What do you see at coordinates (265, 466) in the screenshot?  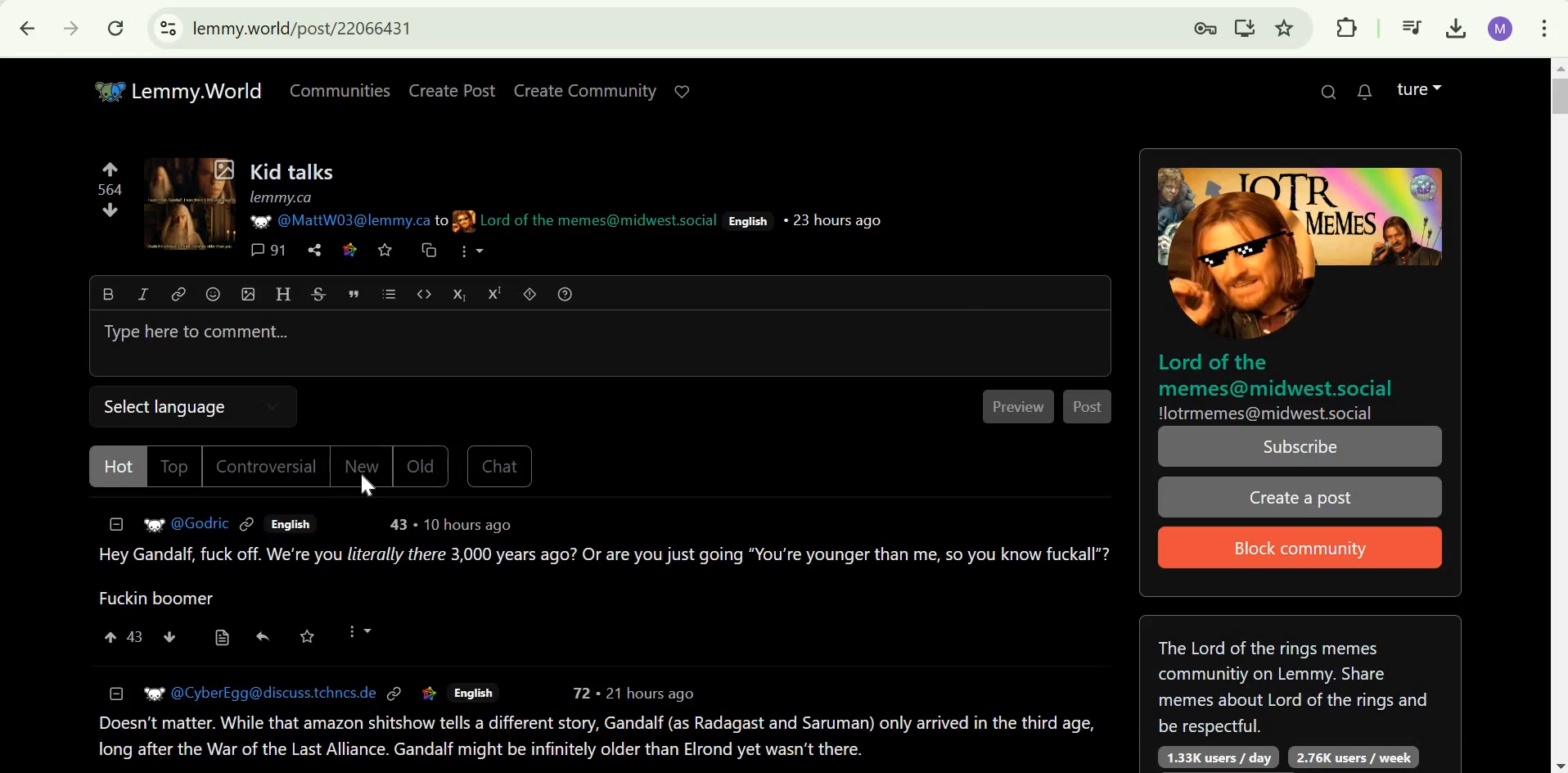 I see `Controversial` at bounding box center [265, 466].